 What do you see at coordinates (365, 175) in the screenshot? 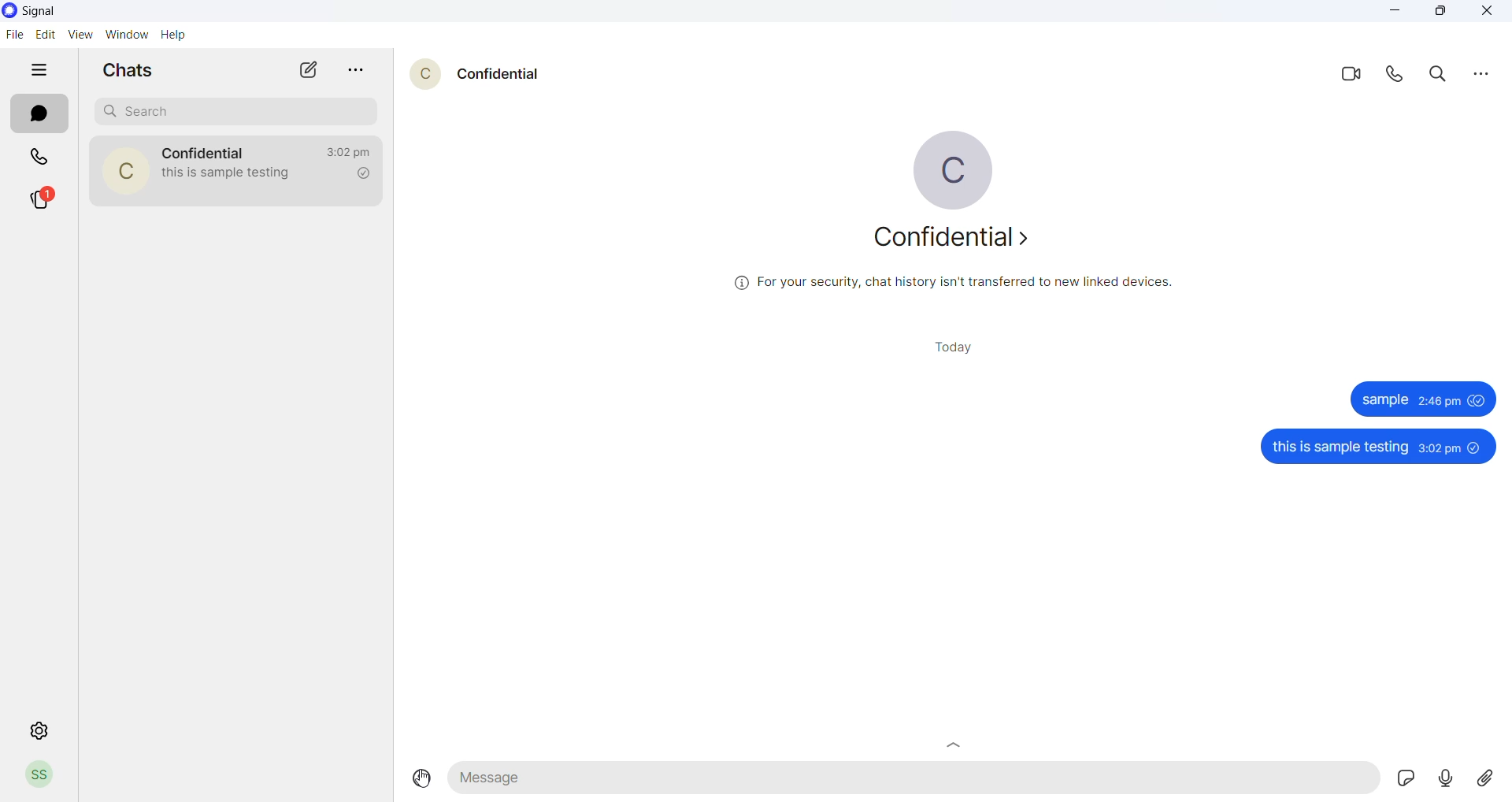
I see `read recipient` at bounding box center [365, 175].